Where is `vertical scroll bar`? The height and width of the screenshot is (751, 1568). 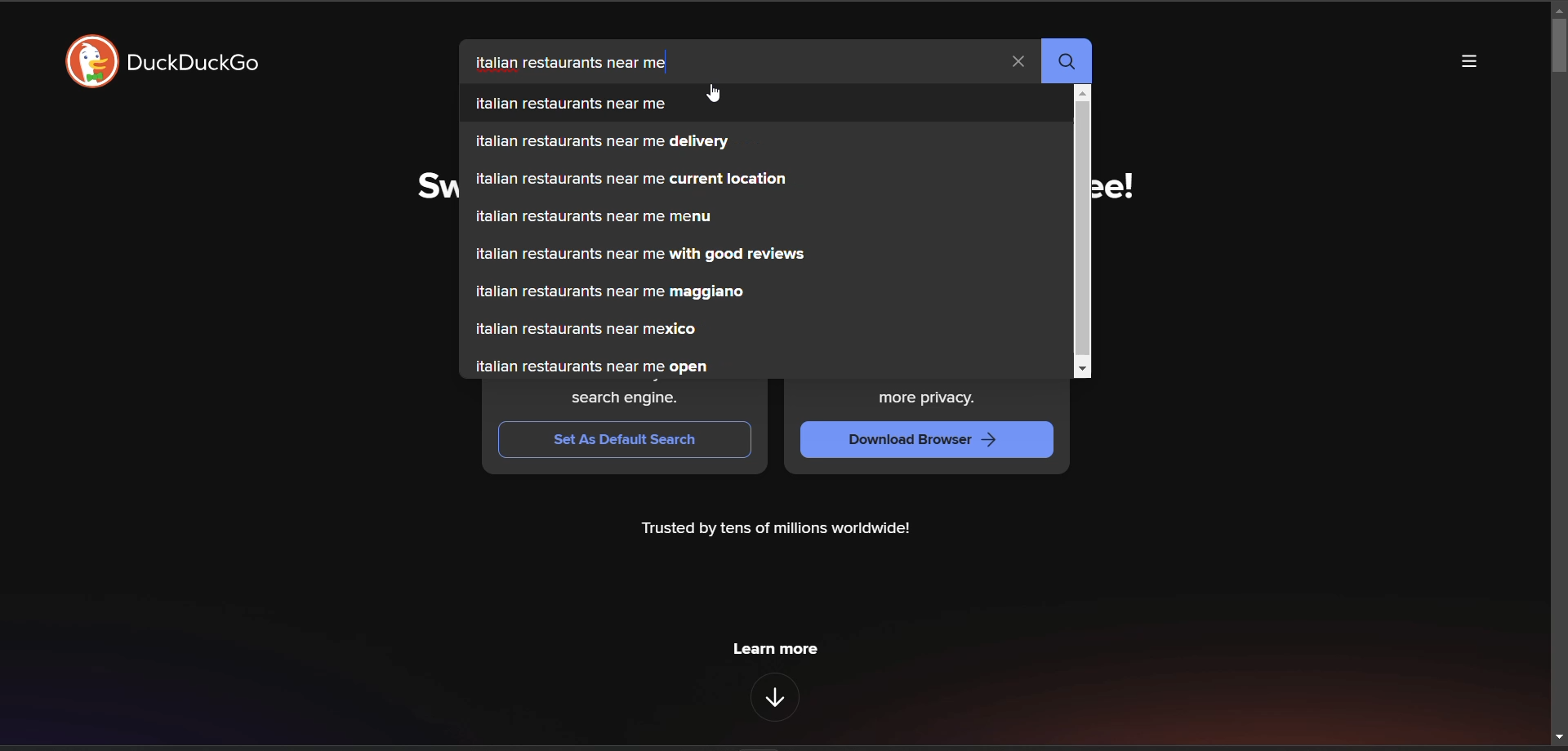 vertical scroll bar is located at coordinates (1558, 47).